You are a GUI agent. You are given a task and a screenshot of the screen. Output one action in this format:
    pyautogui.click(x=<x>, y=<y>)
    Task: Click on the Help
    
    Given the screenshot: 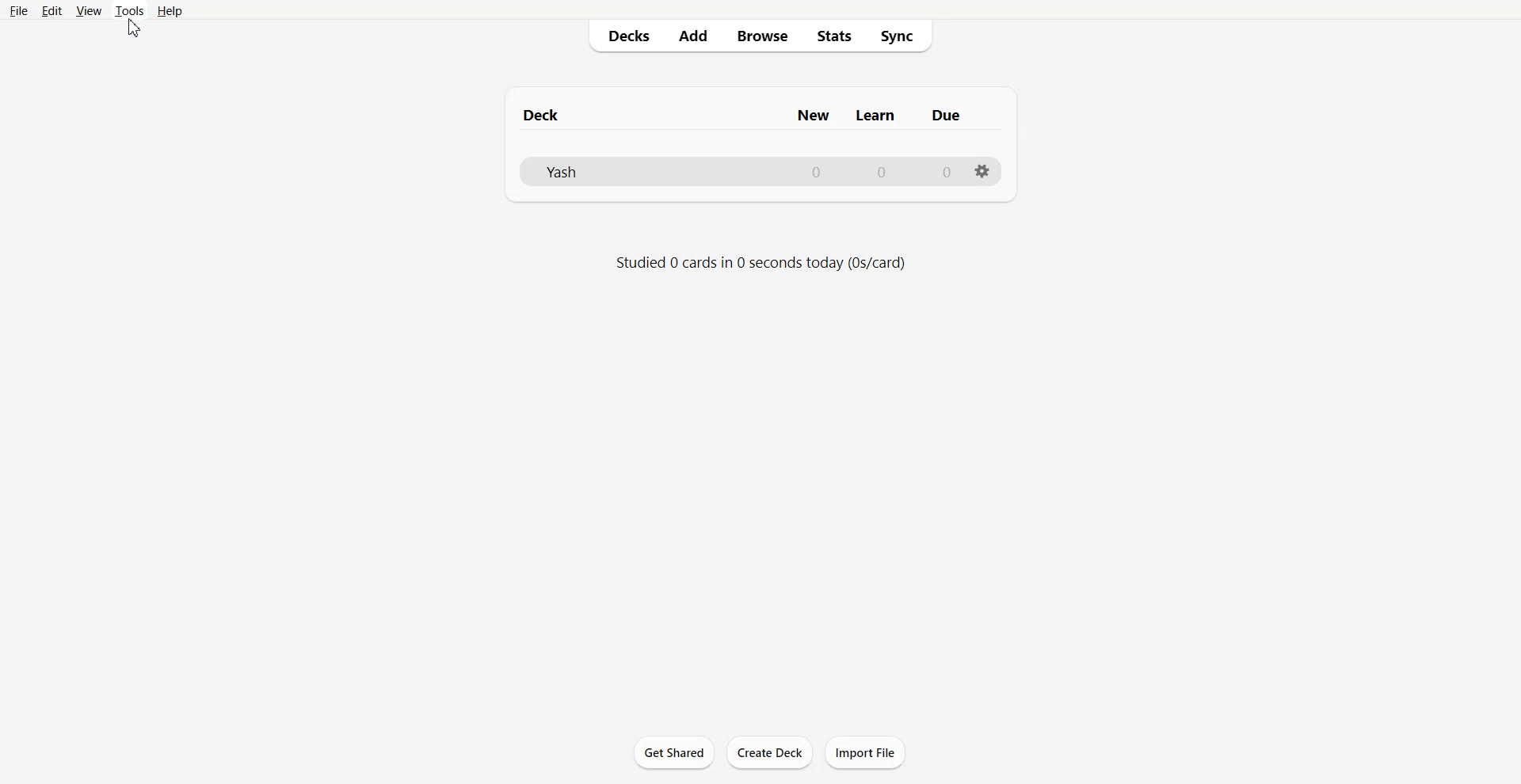 What is the action you would take?
    pyautogui.click(x=170, y=11)
    